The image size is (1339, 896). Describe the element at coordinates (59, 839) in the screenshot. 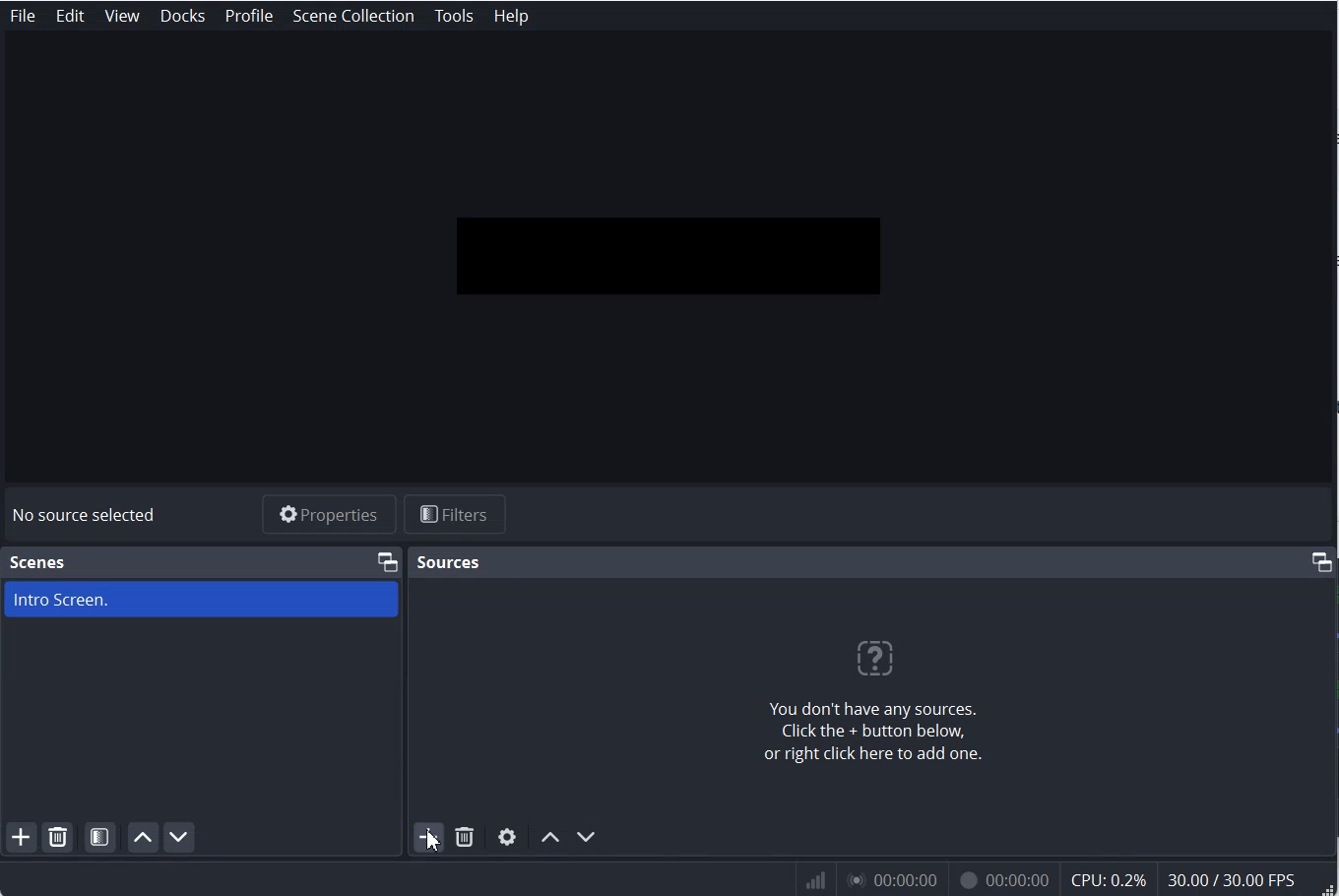

I see `Remove Selected Scene` at that location.